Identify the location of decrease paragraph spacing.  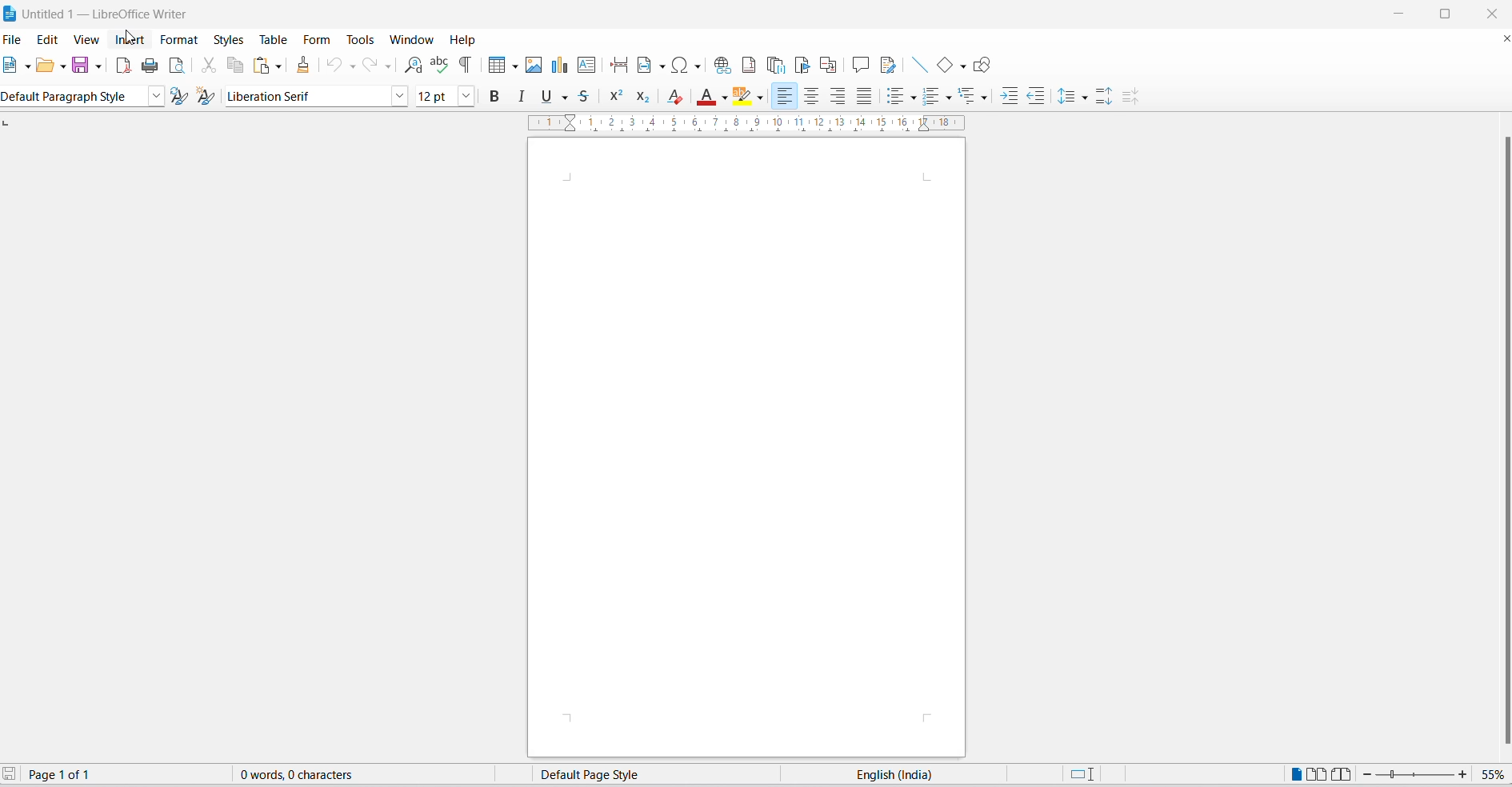
(1130, 98).